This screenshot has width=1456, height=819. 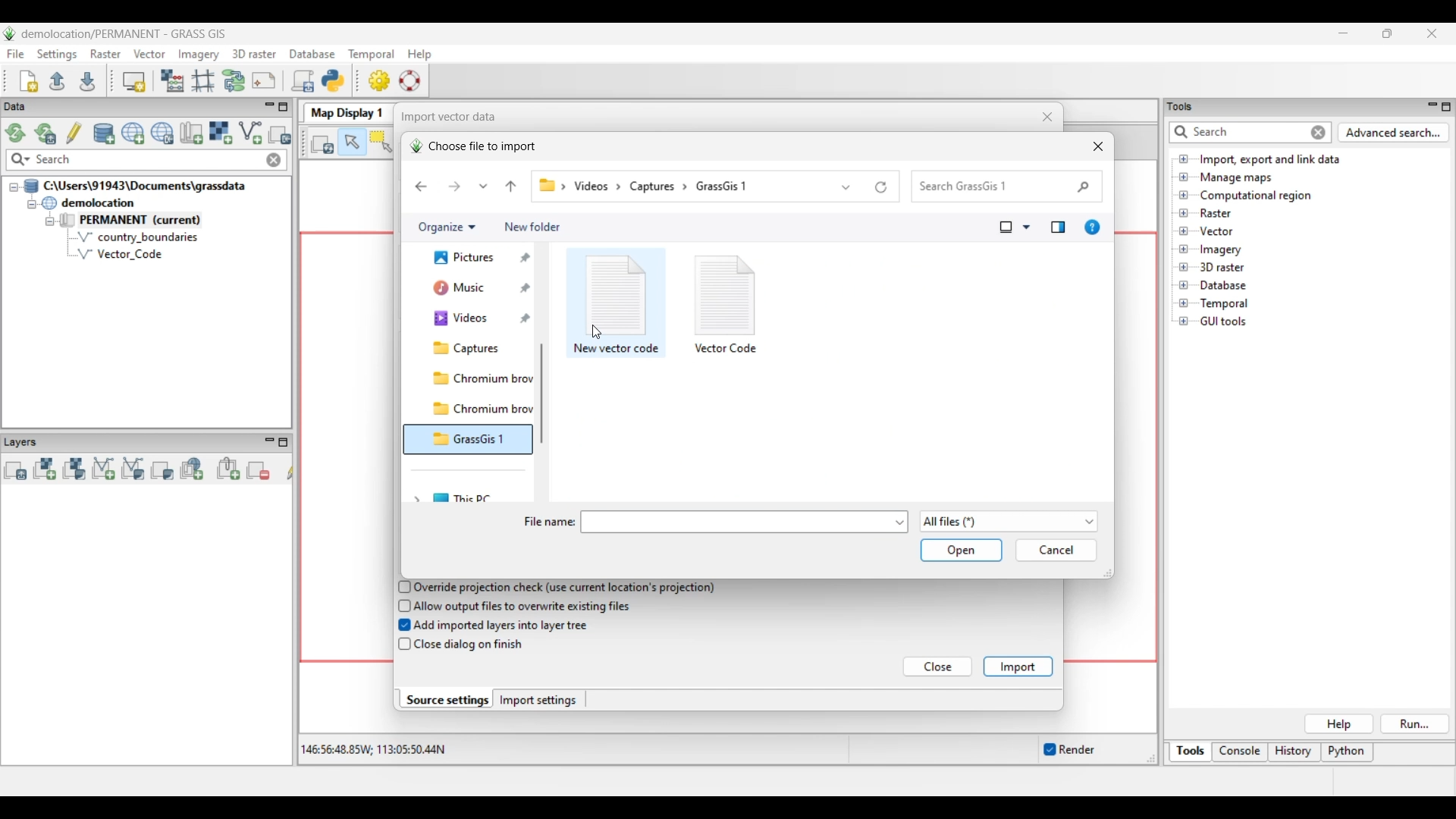 What do you see at coordinates (1224, 322) in the screenshot?
I see `Double click to see files under GUI tools` at bounding box center [1224, 322].